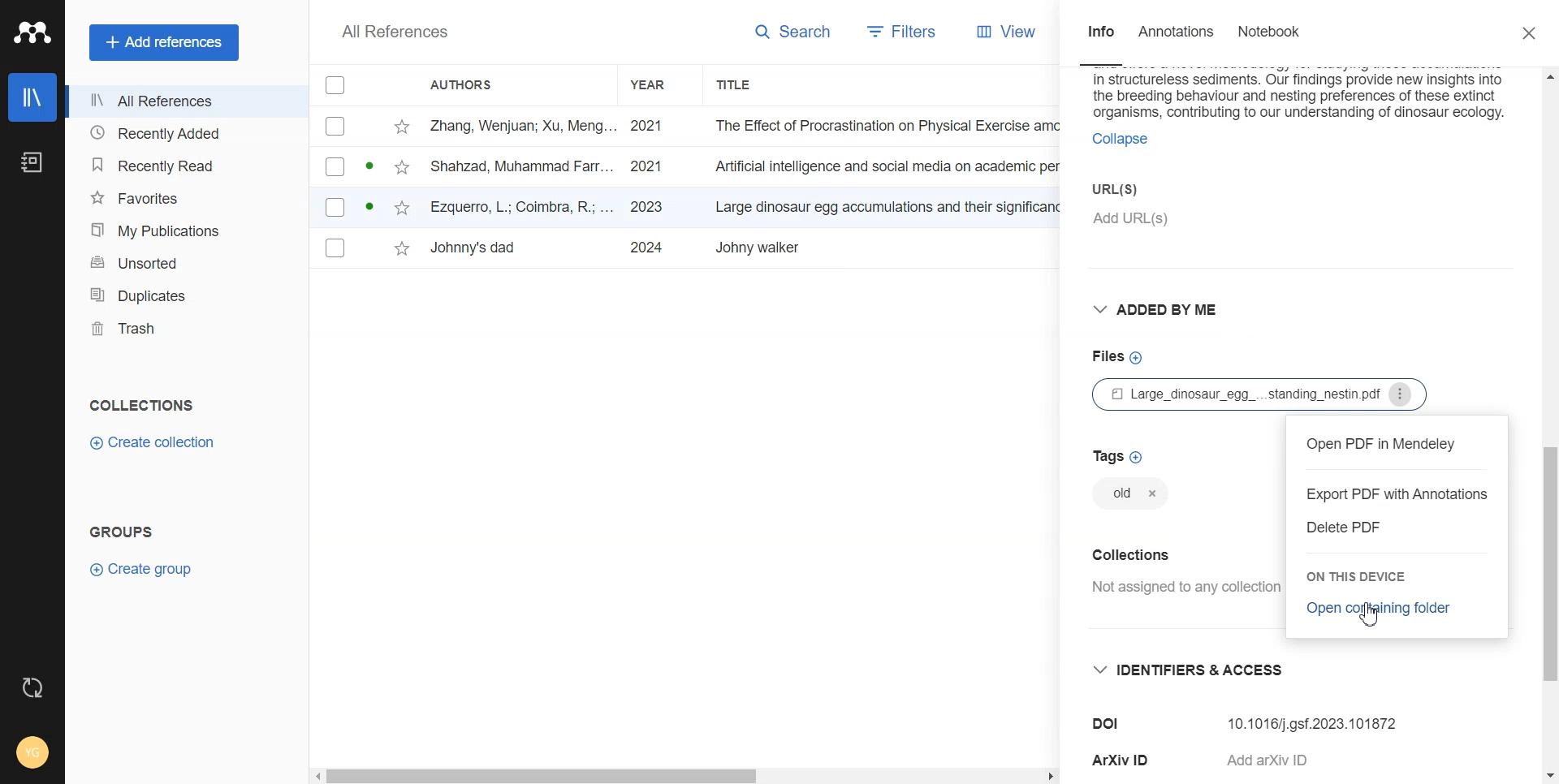 This screenshot has height=784, width=1559. Describe the element at coordinates (1314, 718) in the screenshot. I see `10.1016j.gsf.2023.101872` at that location.